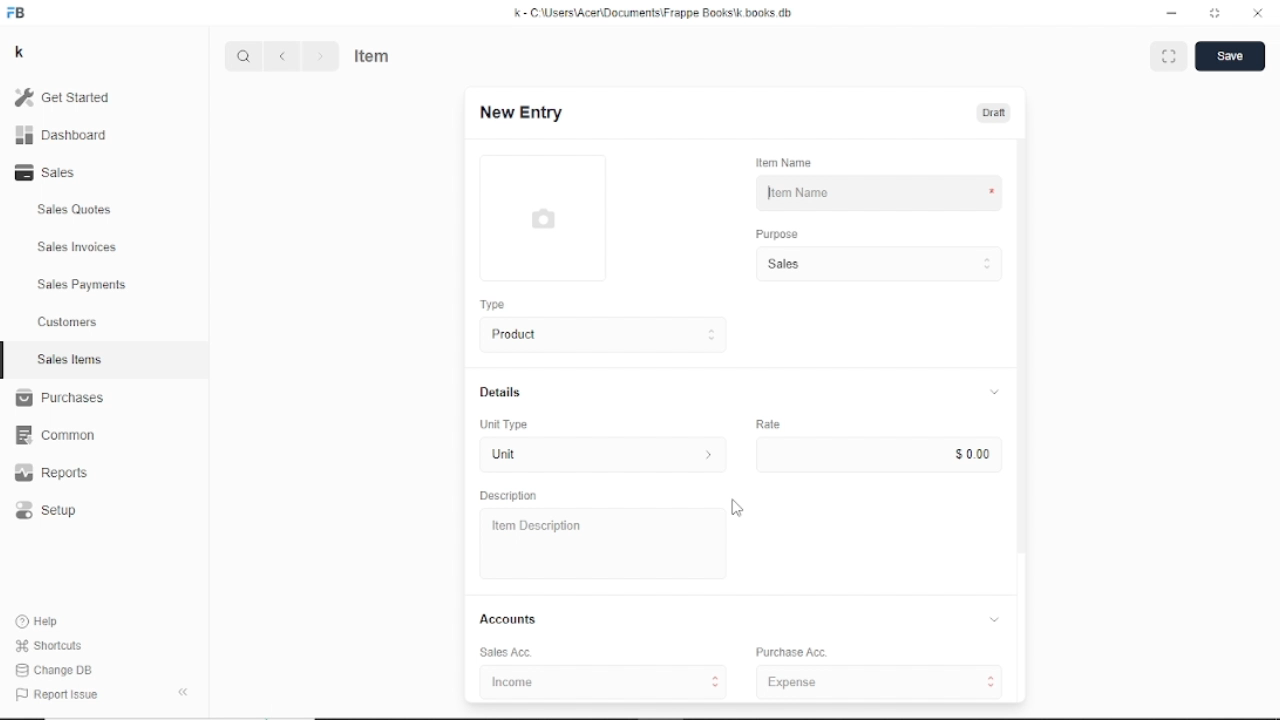 This screenshot has width=1280, height=720. Describe the element at coordinates (69, 321) in the screenshot. I see `Customers` at that location.